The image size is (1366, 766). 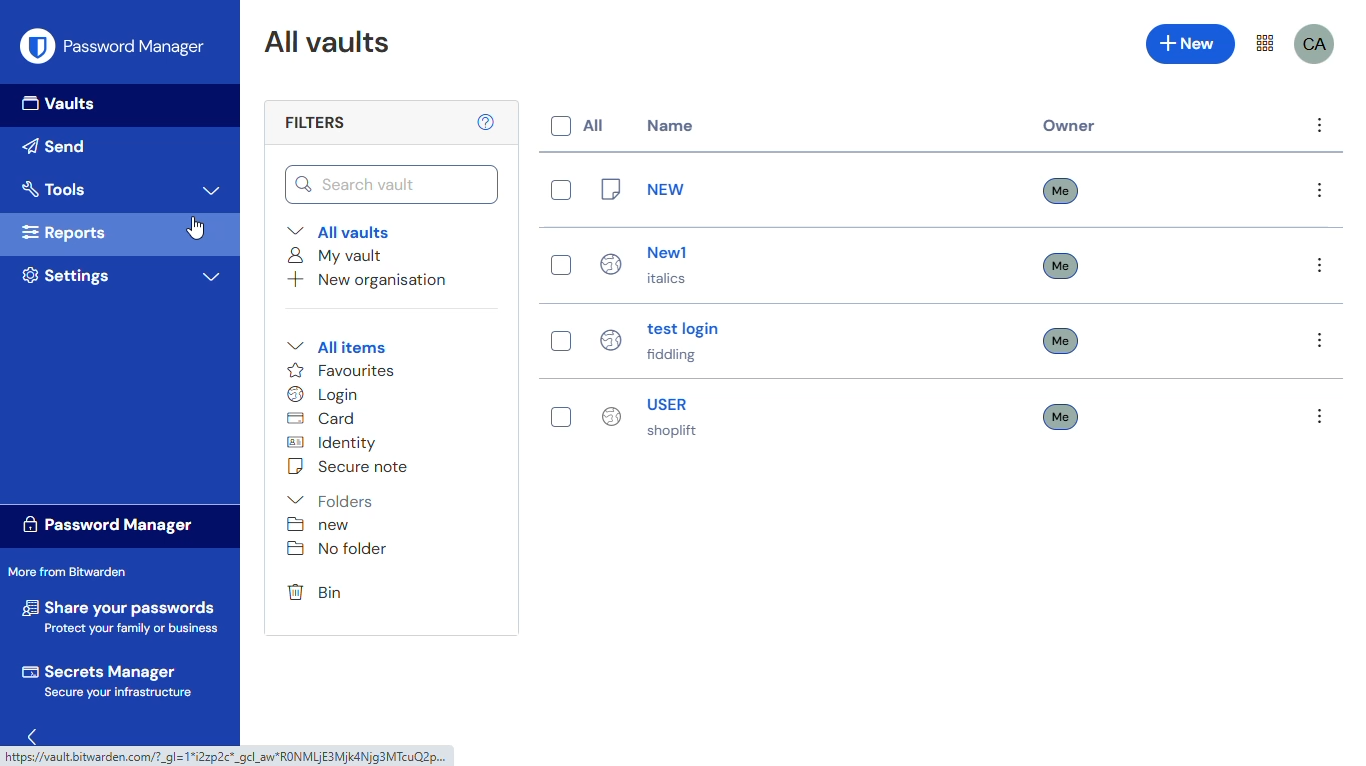 I want to click on card, so click(x=324, y=419).